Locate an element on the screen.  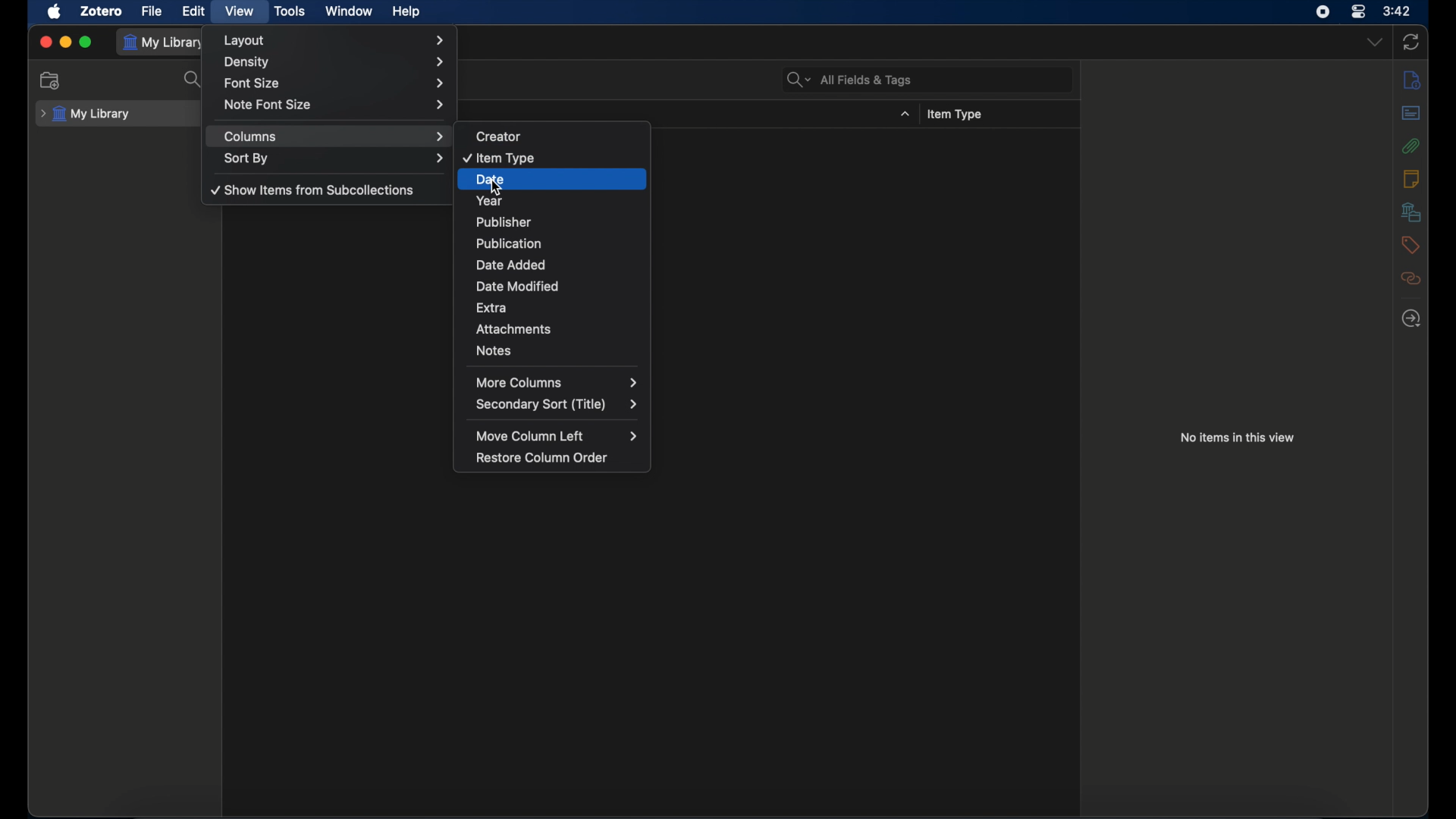
year is located at coordinates (558, 199).